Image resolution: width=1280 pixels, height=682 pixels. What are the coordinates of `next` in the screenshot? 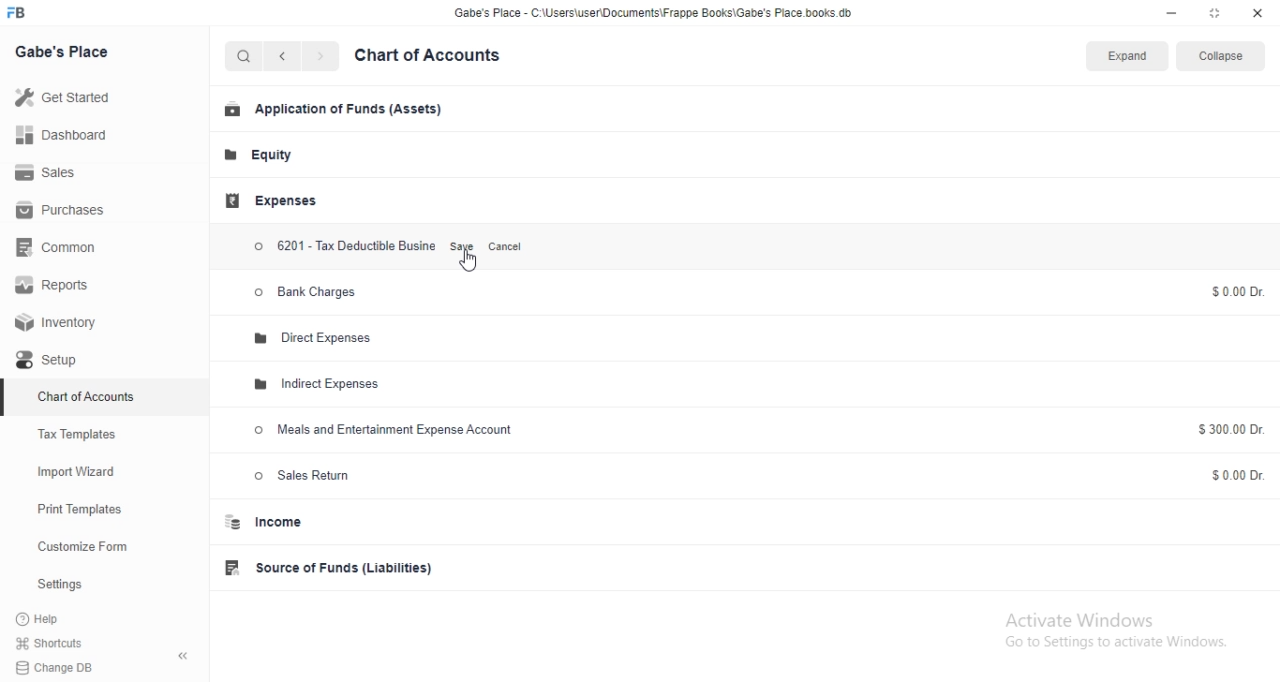 It's located at (327, 58).